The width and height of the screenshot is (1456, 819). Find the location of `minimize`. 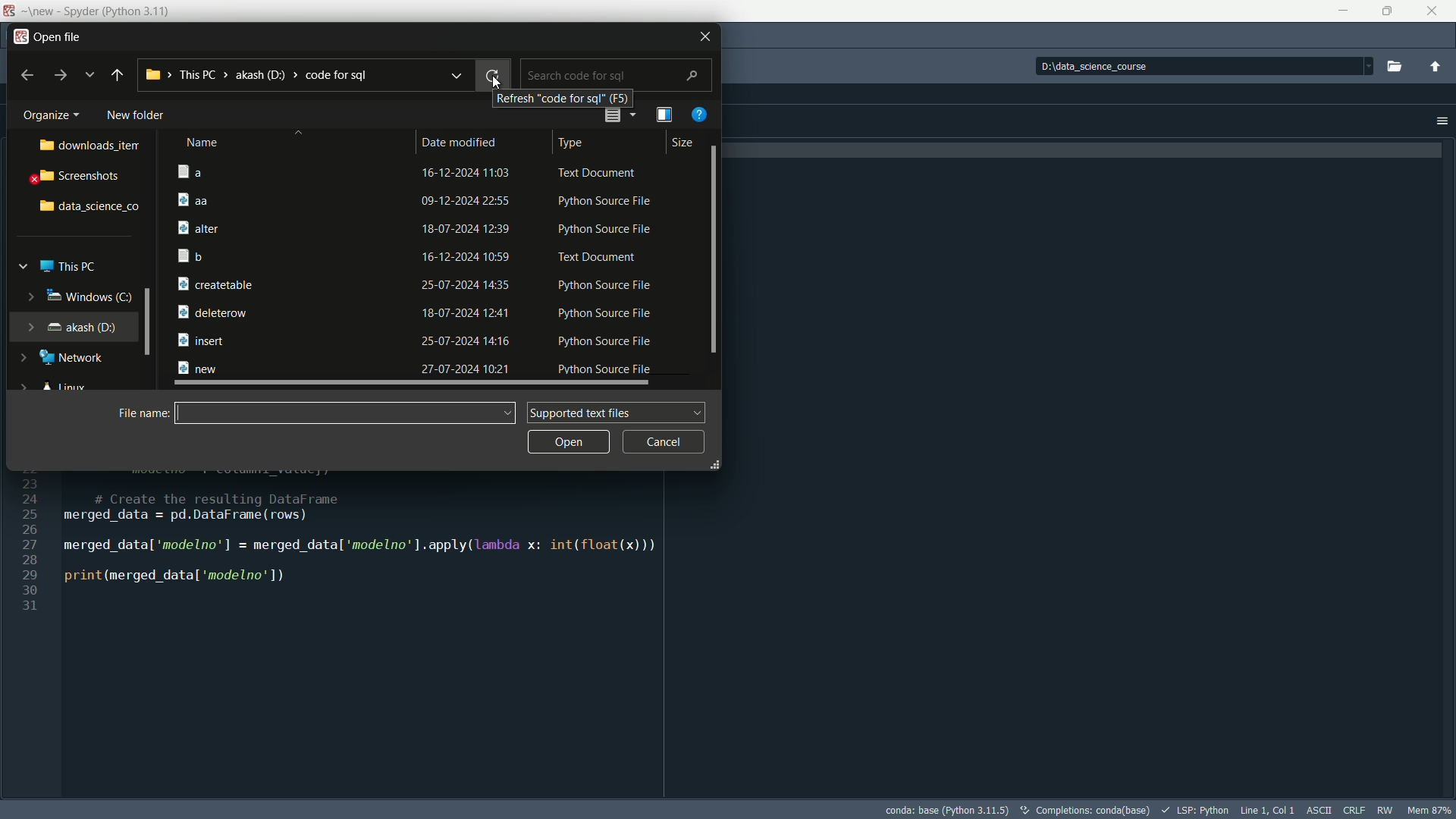

minimize is located at coordinates (1344, 11).